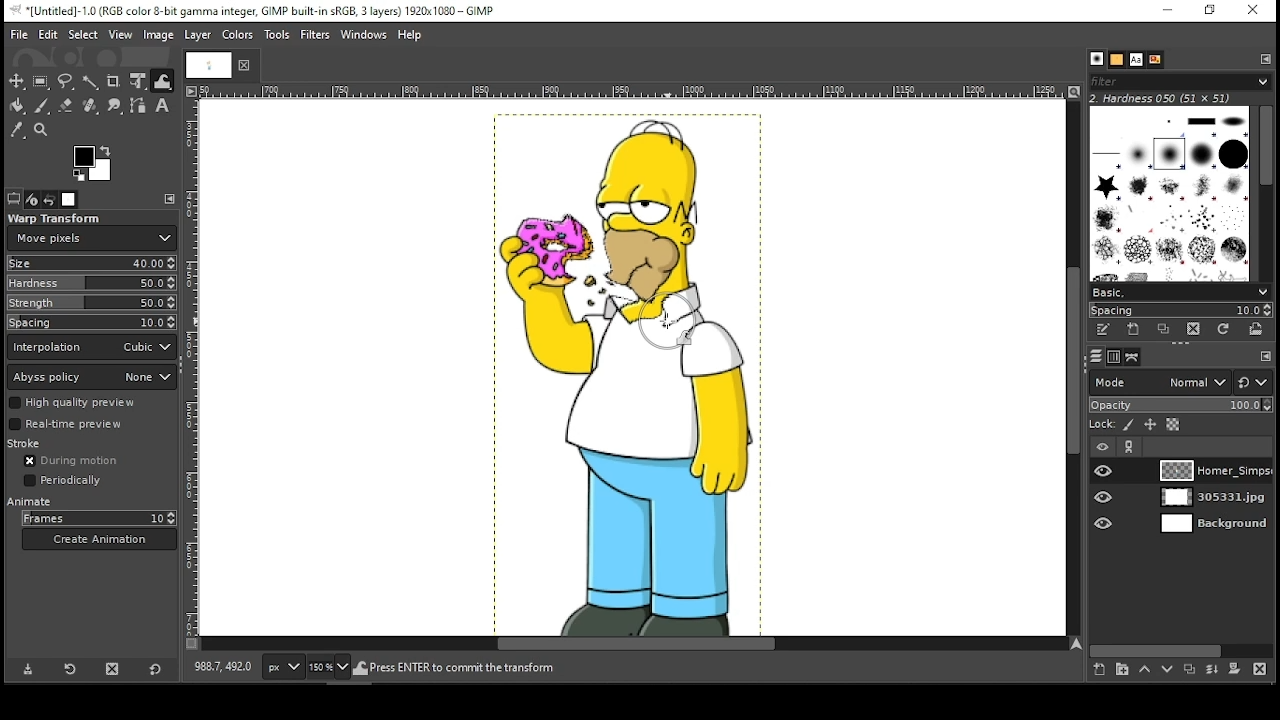 This screenshot has width=1280, height=720. I want to click on healing tool, so click(92, 106).